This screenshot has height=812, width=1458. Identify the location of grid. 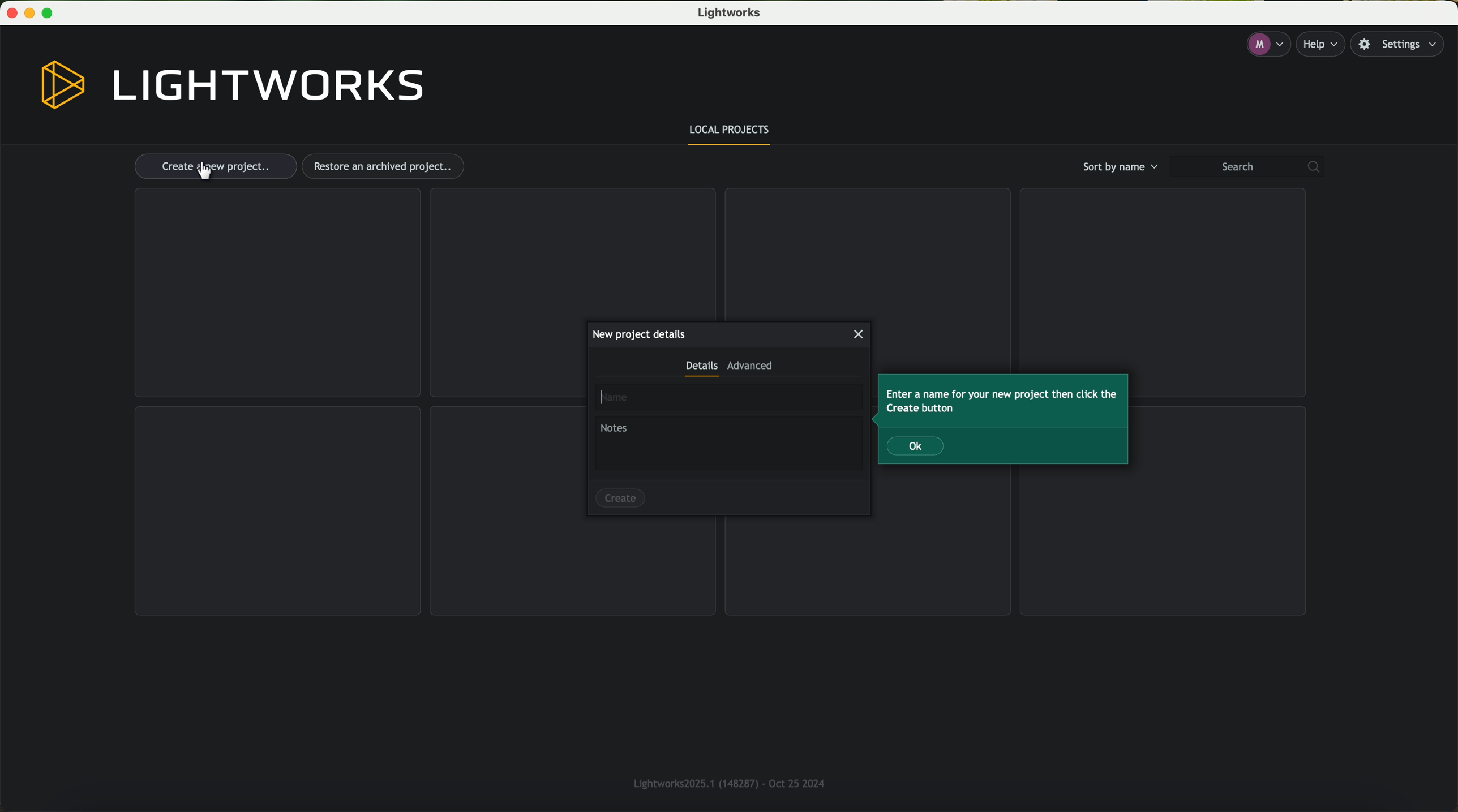
(573, 568).